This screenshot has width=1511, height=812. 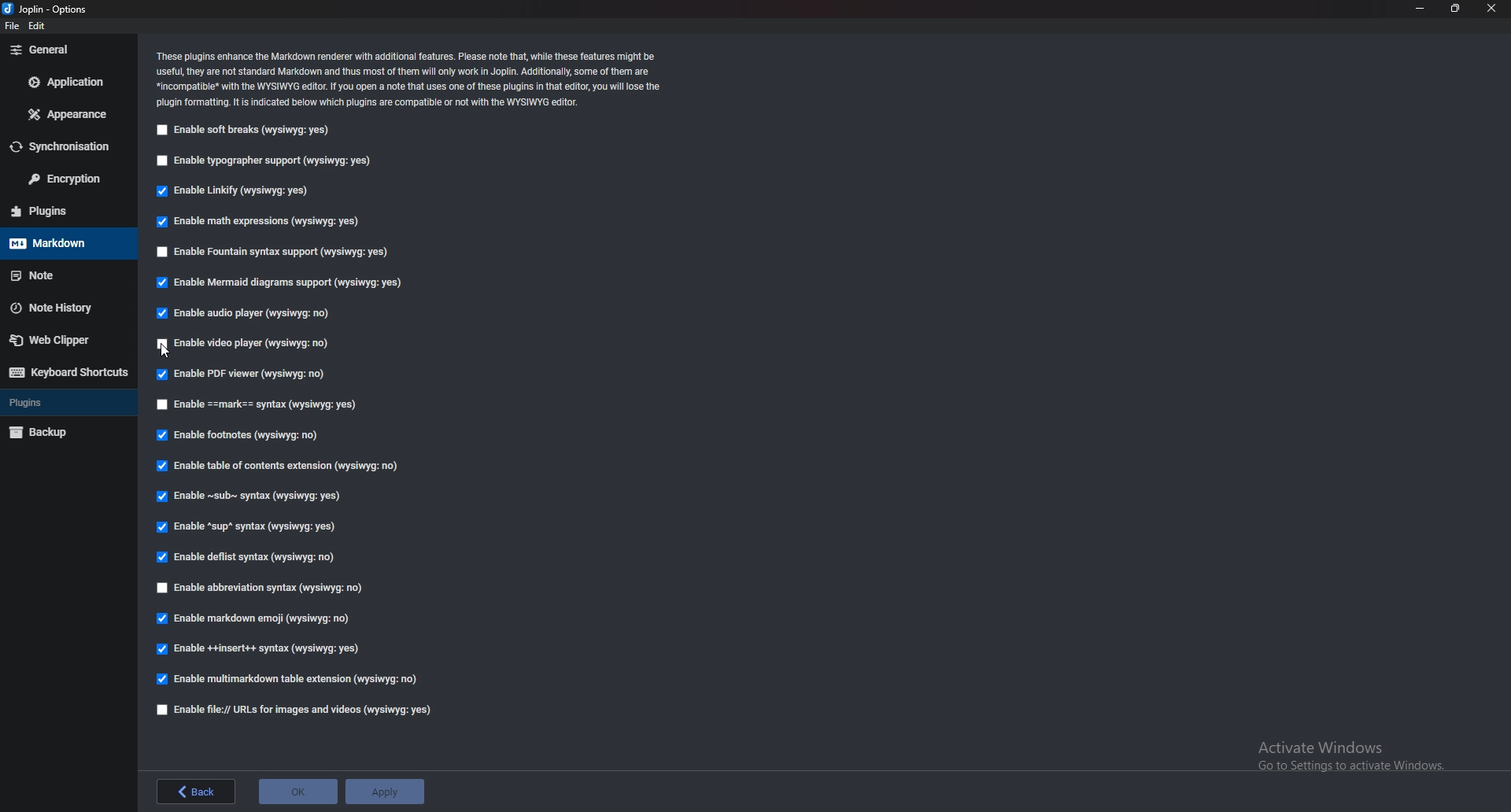 What do you see at coordinates (386, 792) in the screenshot?
I see `apply` at bounding box center [386, 792].